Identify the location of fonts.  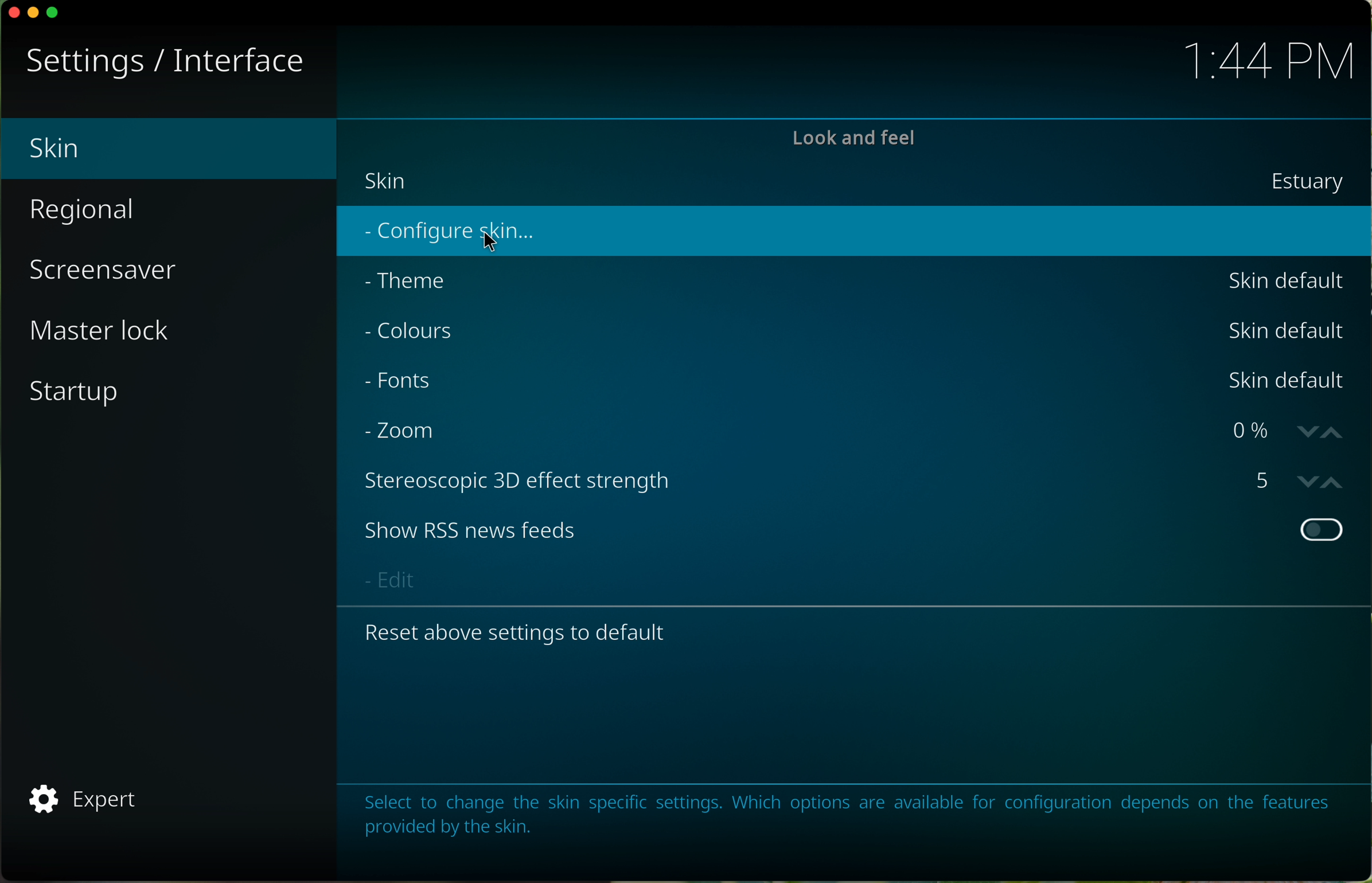
(403, 385).